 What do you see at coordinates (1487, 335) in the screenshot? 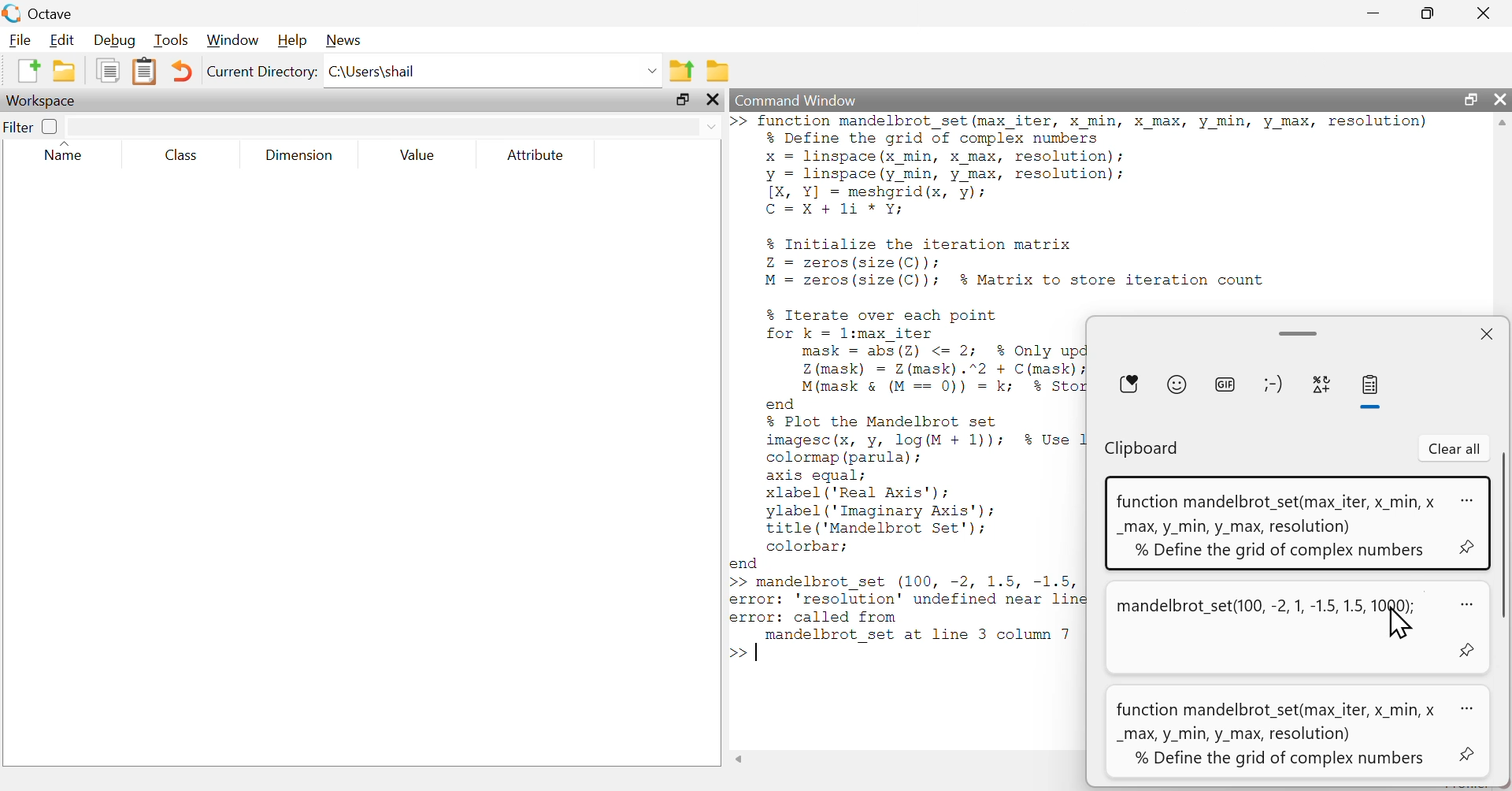
I see `close` at bounding box center [1487, 335].